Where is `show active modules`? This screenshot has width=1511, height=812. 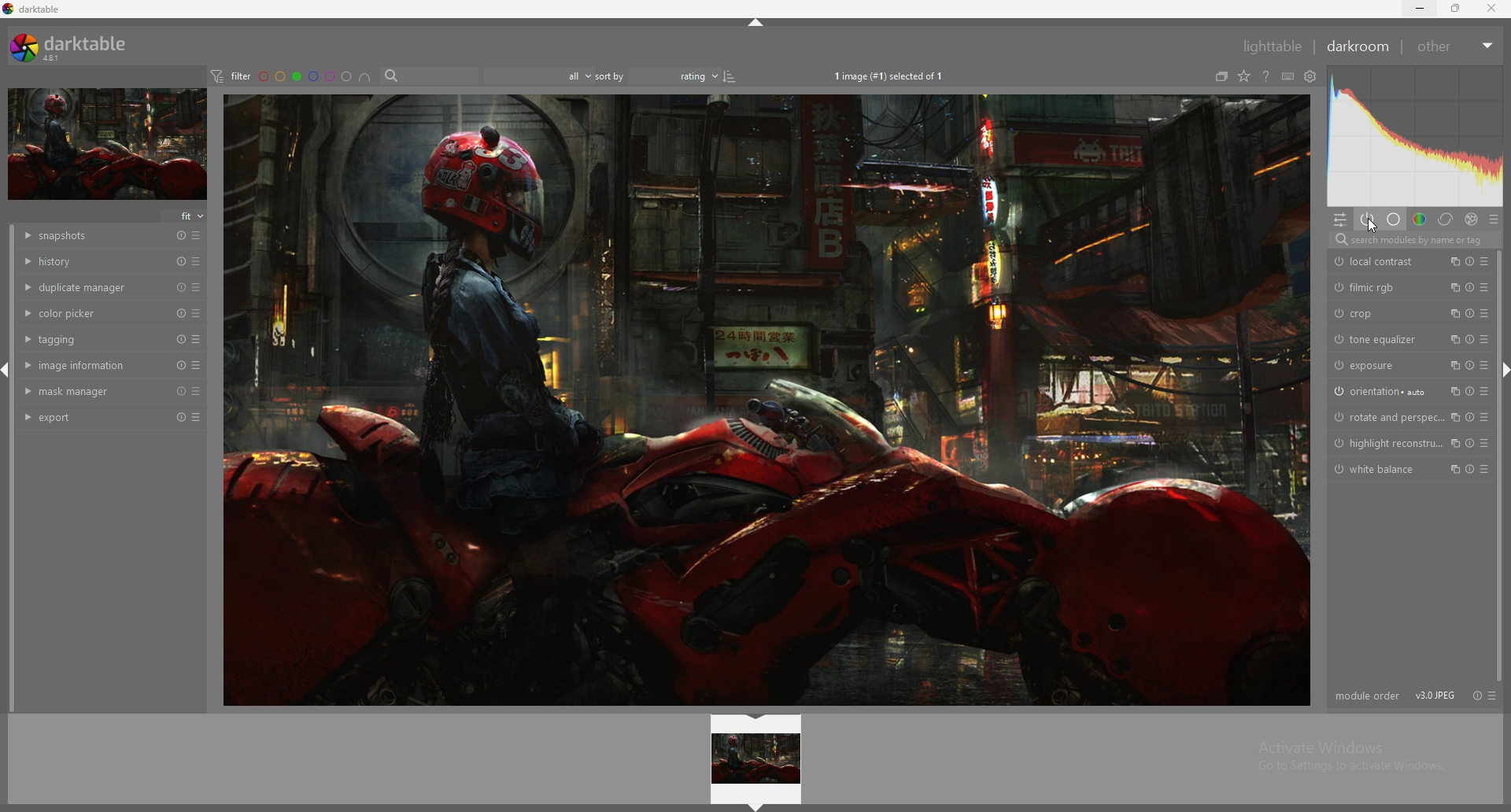
show active modules is located at coordinates (1365, 219).